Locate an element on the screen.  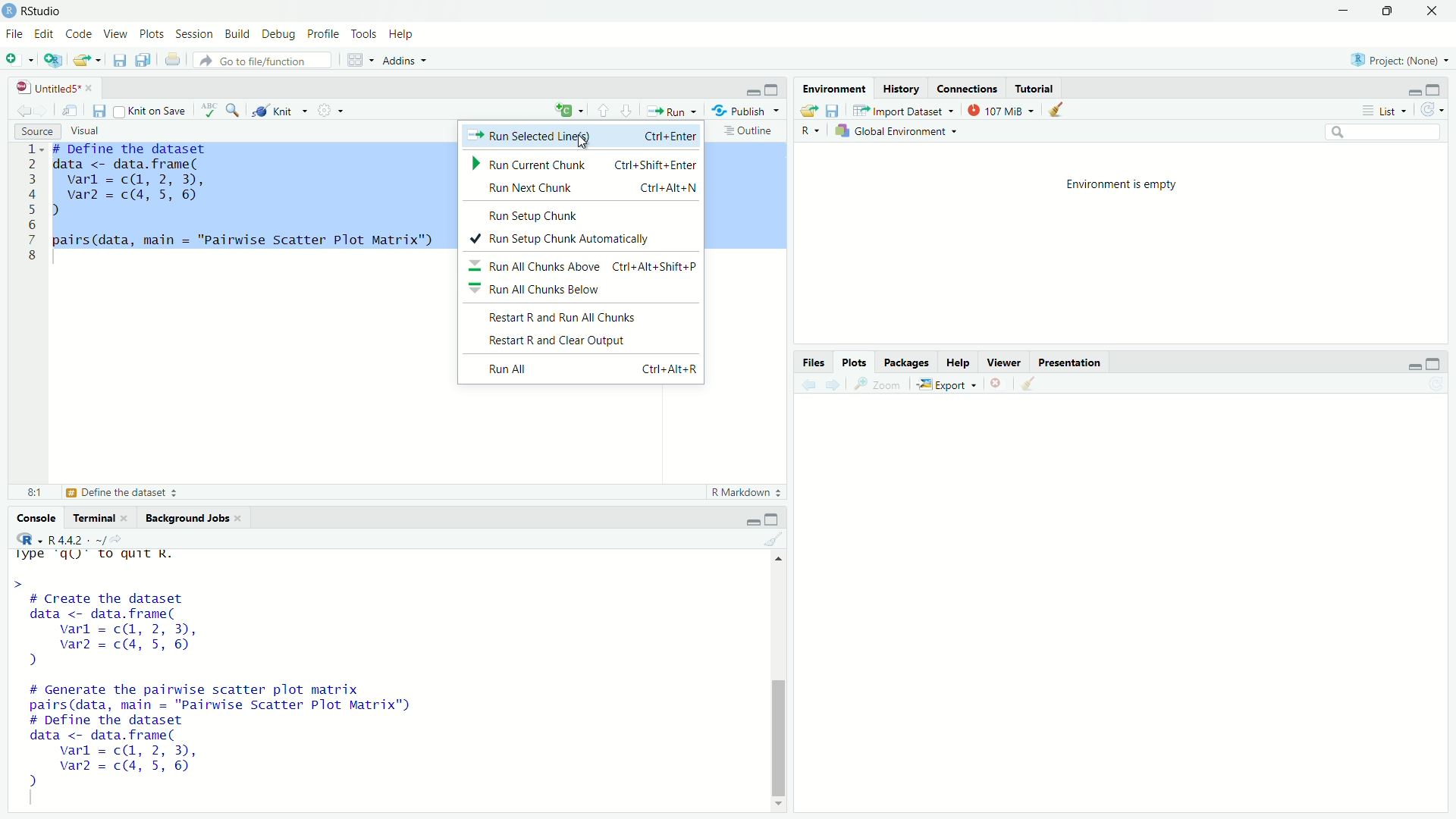
Maximize is located at coordinates (772, 89).